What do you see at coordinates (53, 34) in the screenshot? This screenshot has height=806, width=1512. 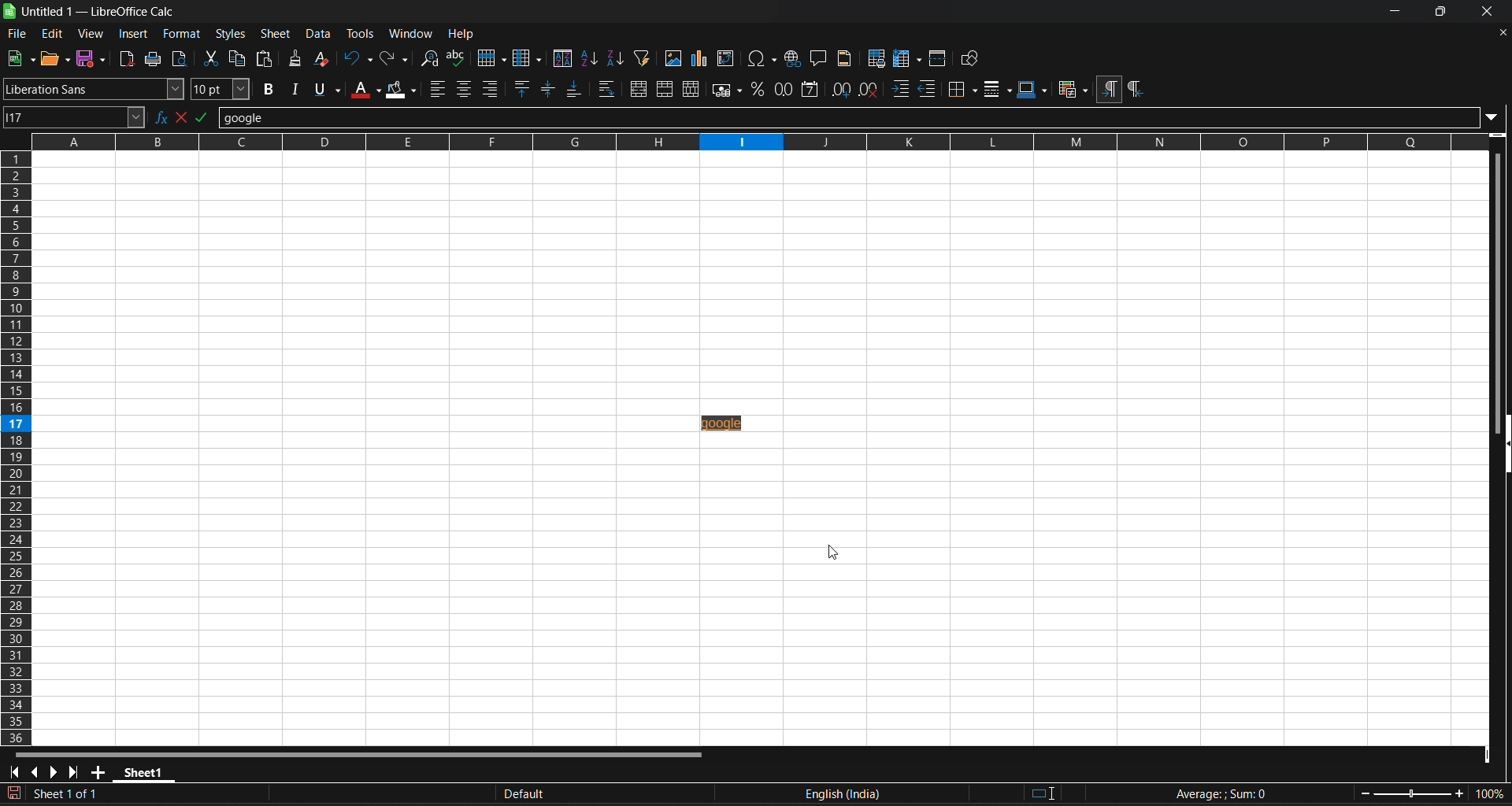 I see `edit` at bounding box center [53, 34].